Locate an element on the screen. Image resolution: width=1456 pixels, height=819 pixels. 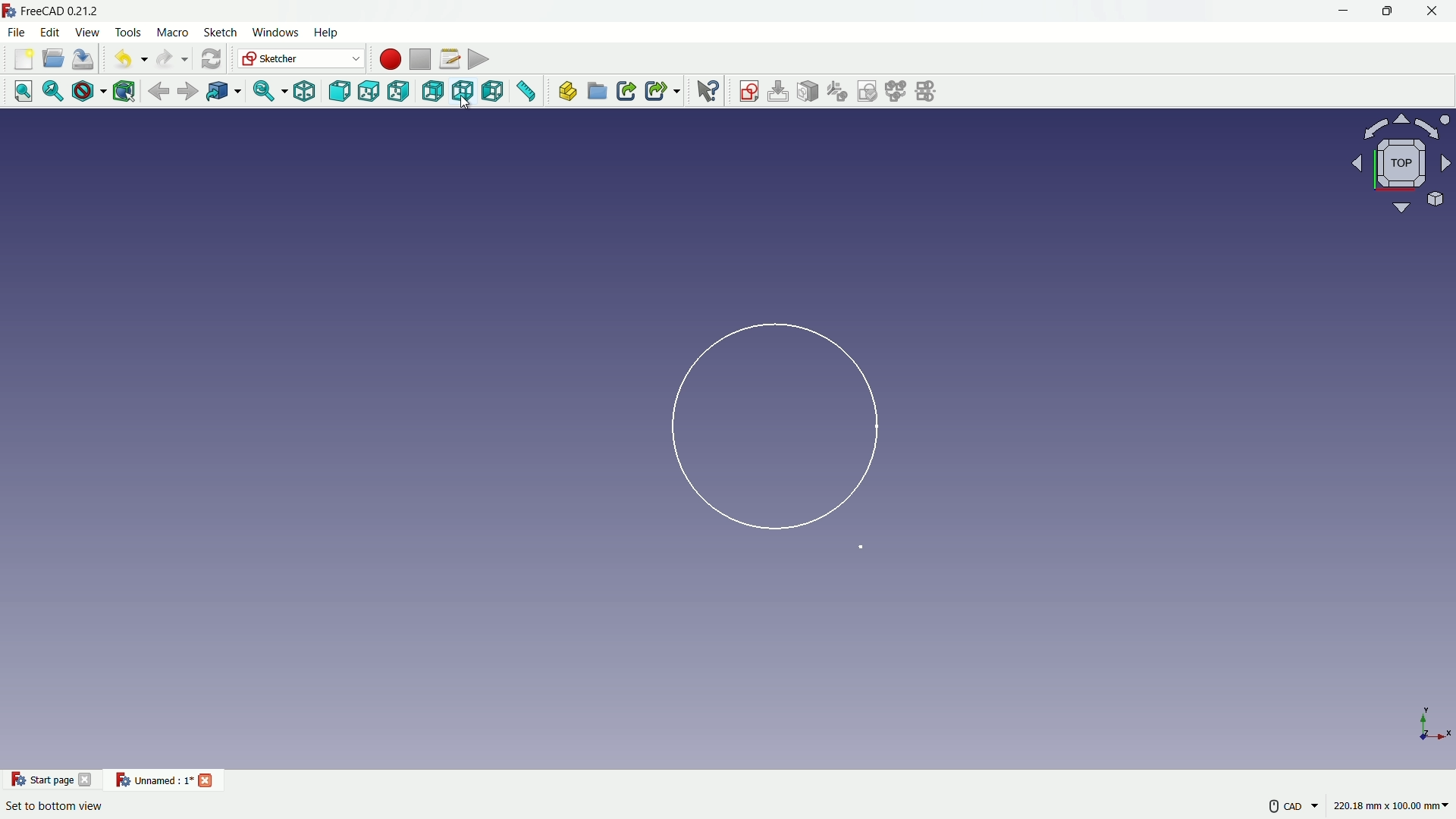
merge sketches is located at coordinates (898, 92).